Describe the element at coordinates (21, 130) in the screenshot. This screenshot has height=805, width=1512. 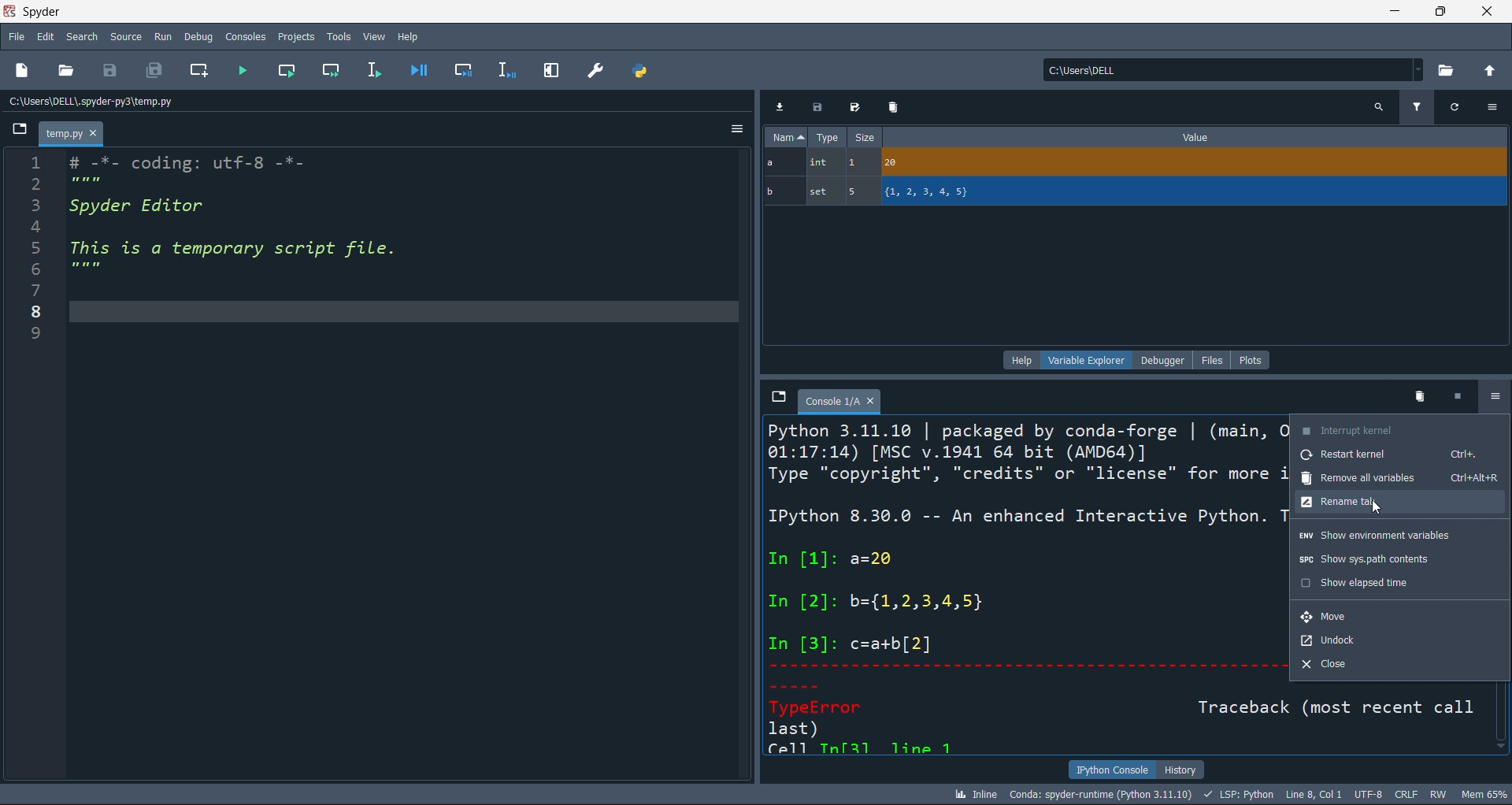
I see `browse tabs` at that location.